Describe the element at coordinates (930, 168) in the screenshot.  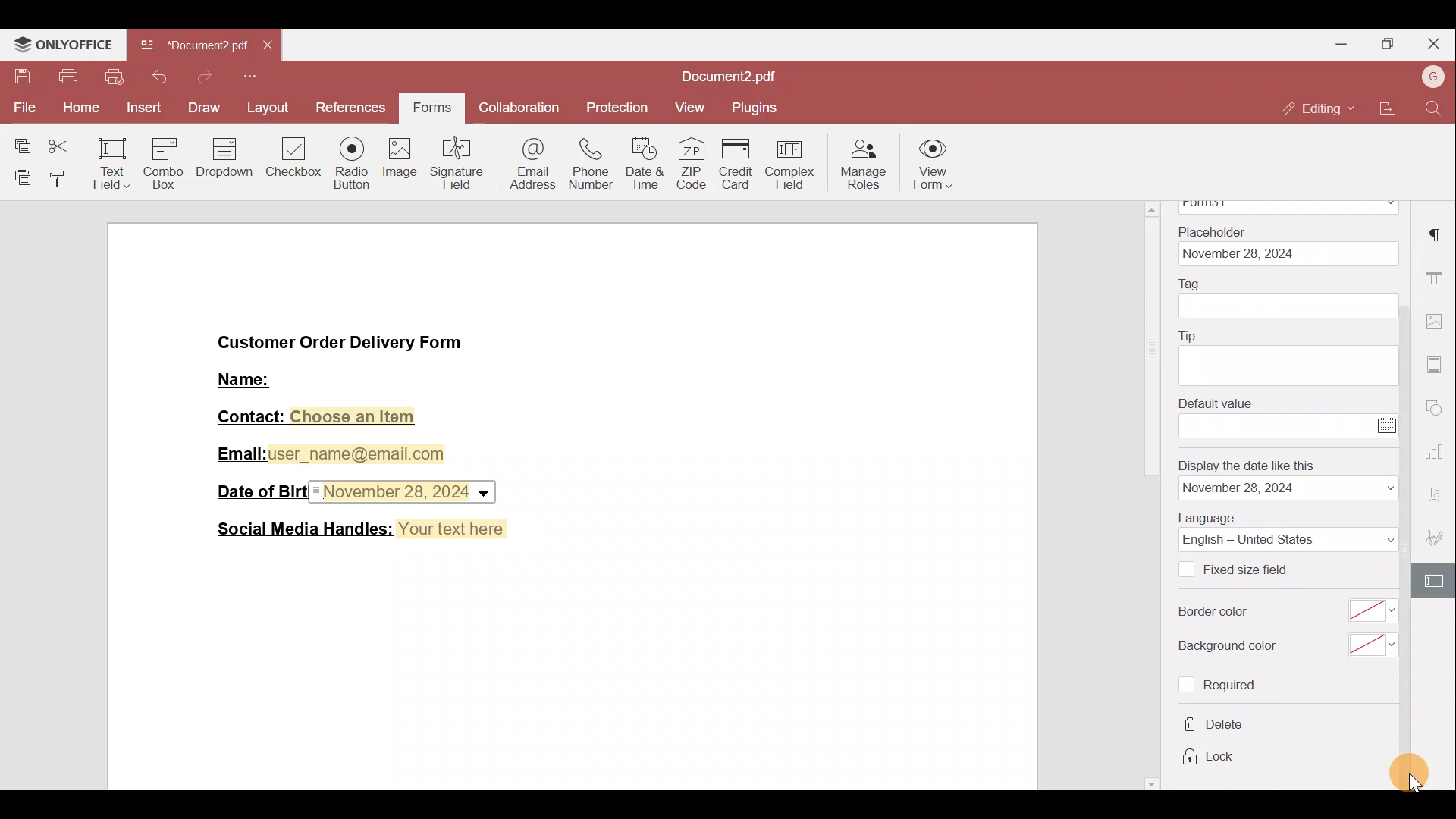
I see `View form` at that location.